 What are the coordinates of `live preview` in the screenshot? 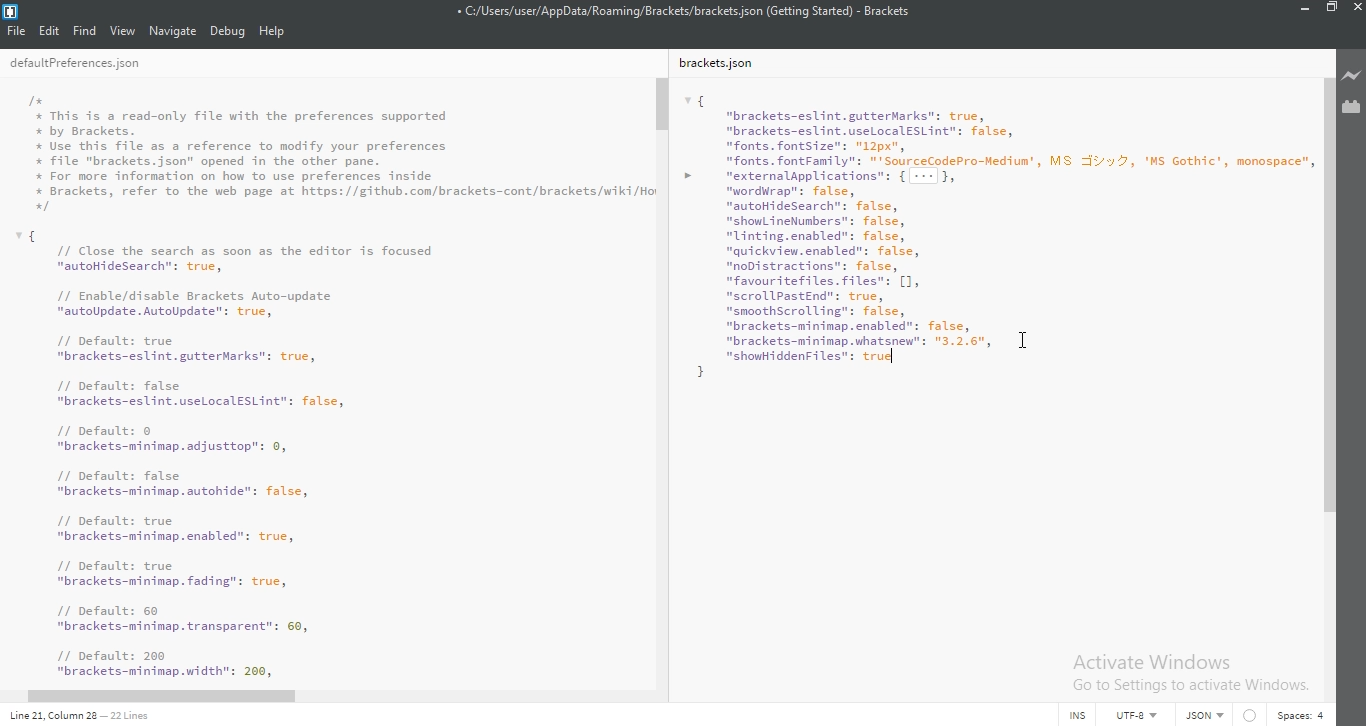 It's located at (1352, 76).